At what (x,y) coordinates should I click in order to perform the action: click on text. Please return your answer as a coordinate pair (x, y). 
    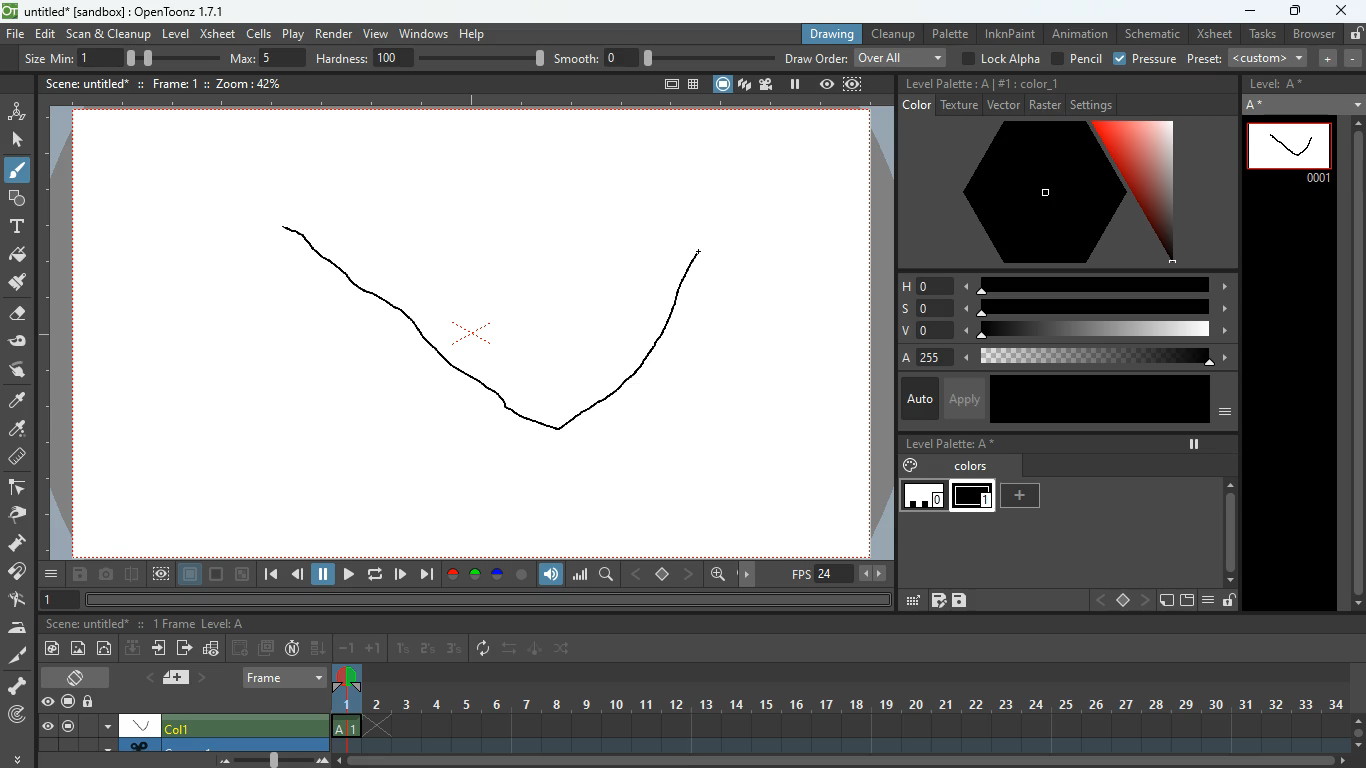
    Looking at the image, I should click on (15, 226).